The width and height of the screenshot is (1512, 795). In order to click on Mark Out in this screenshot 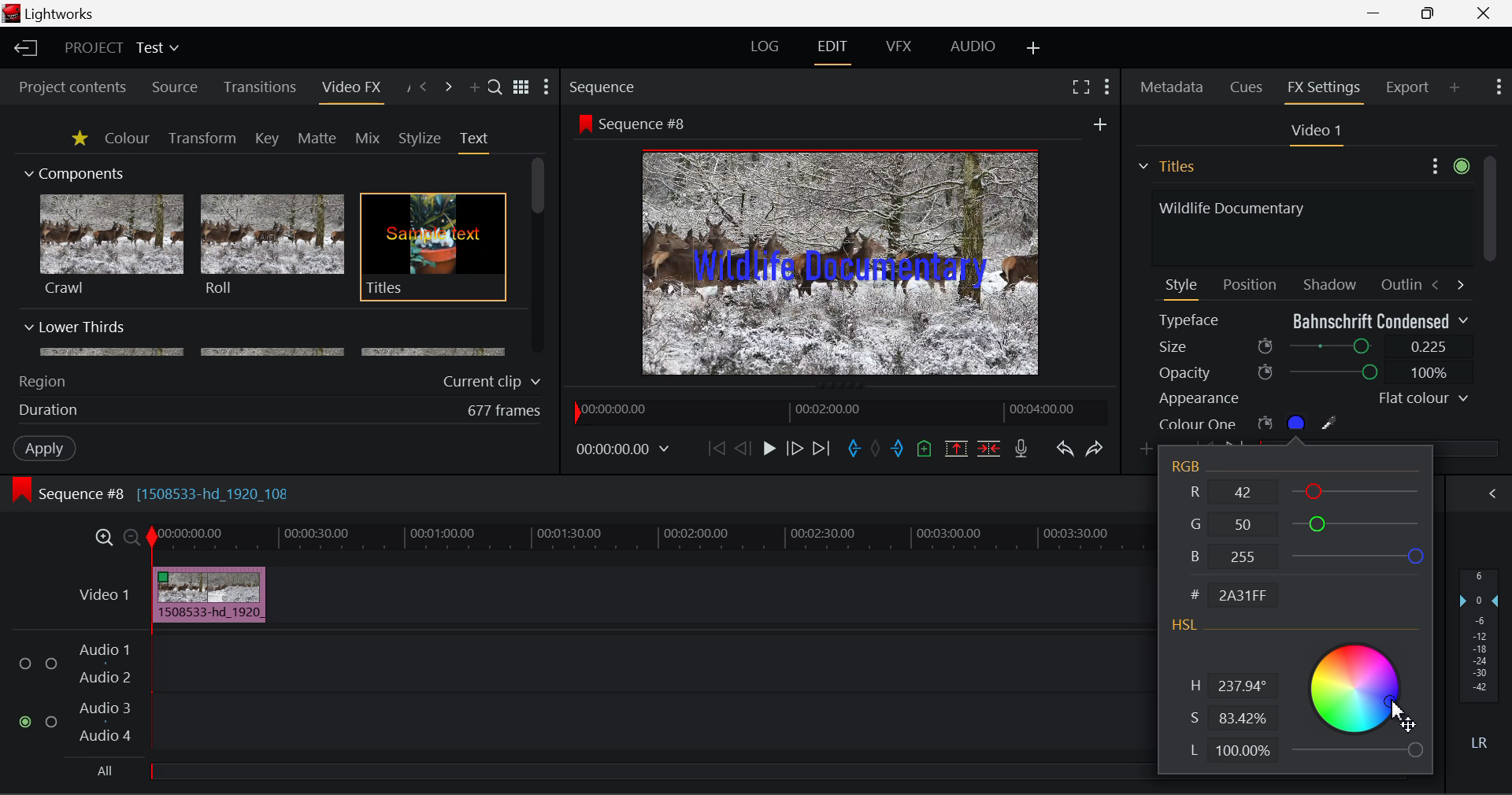, I will do `click(899, 450)`.